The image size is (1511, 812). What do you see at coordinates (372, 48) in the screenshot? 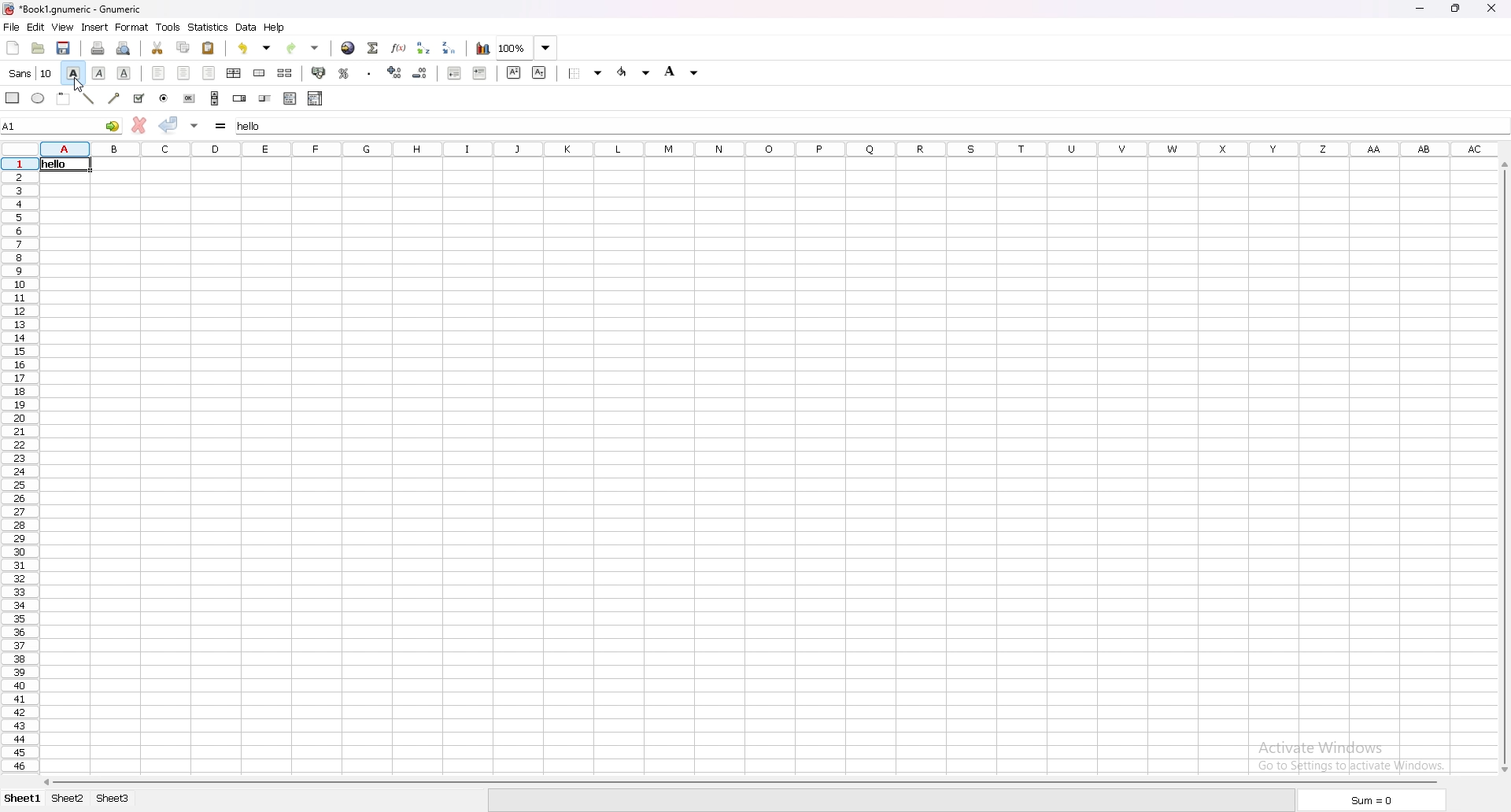
I see `summation` at bounding box center [372, 48].